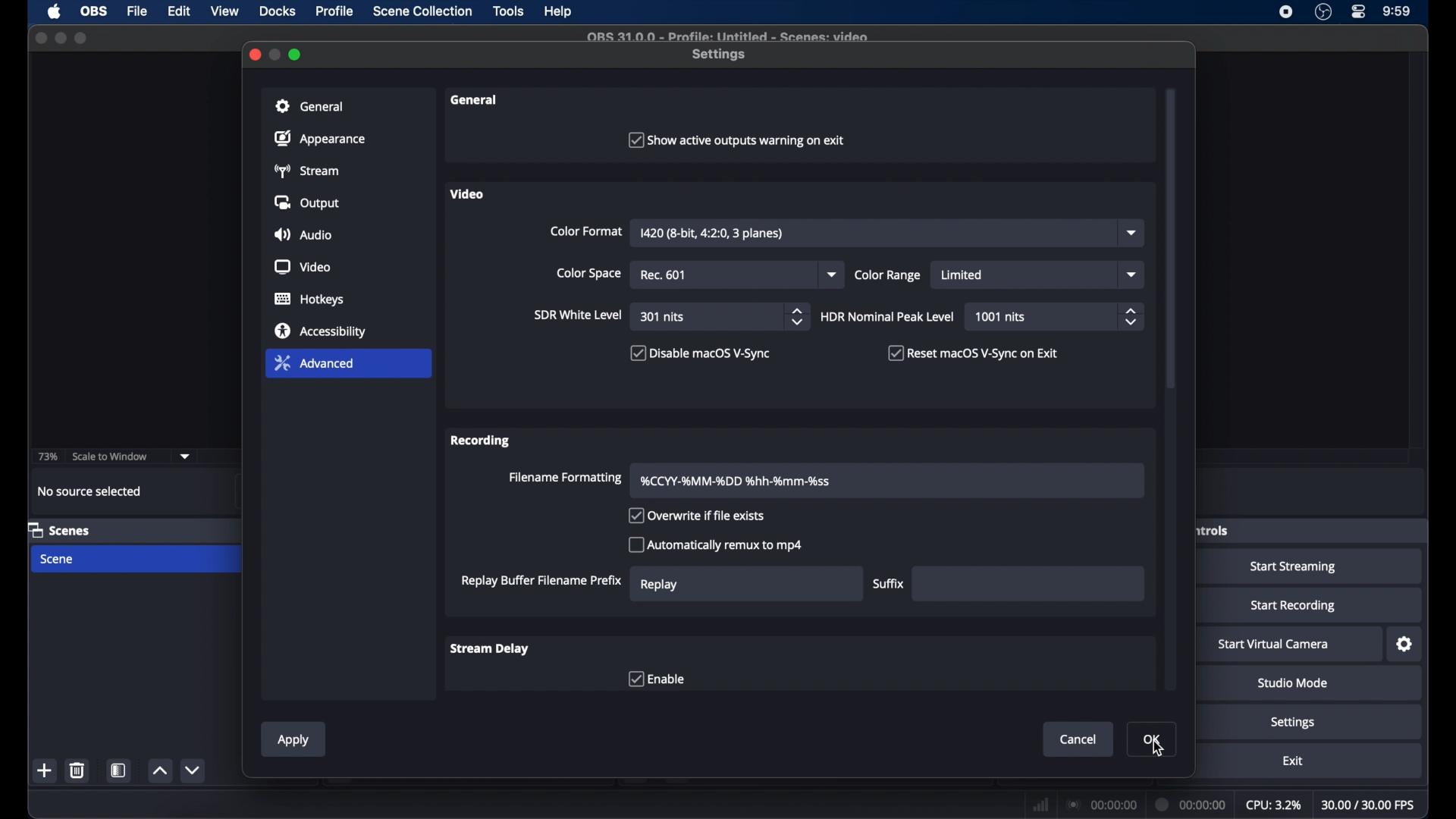 Image resolution: width=1456 pixels, height=819 pixels. I want to click on dropdown, so click(1134, 233).